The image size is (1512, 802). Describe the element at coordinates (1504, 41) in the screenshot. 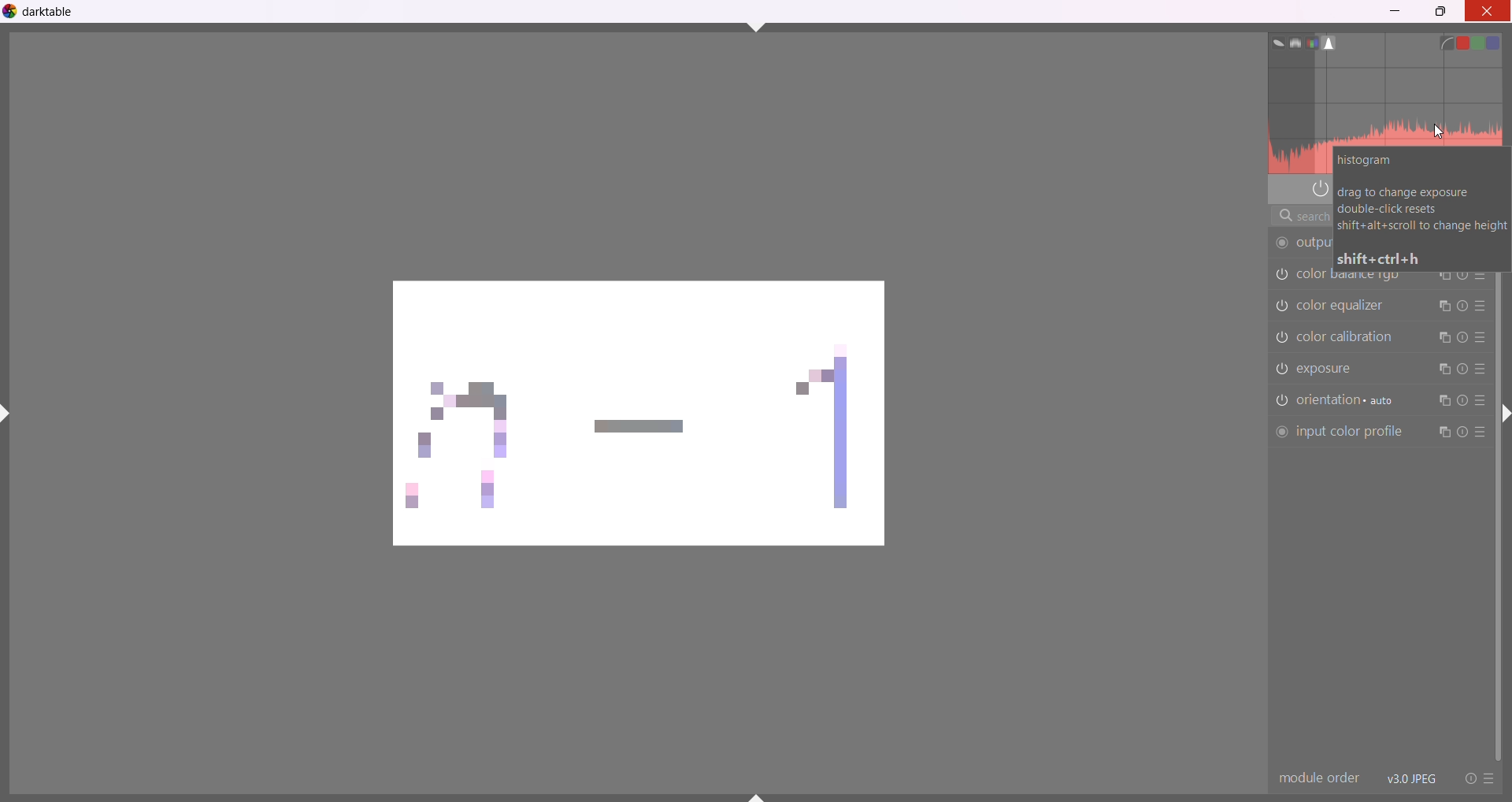

I see `blue` at that location.